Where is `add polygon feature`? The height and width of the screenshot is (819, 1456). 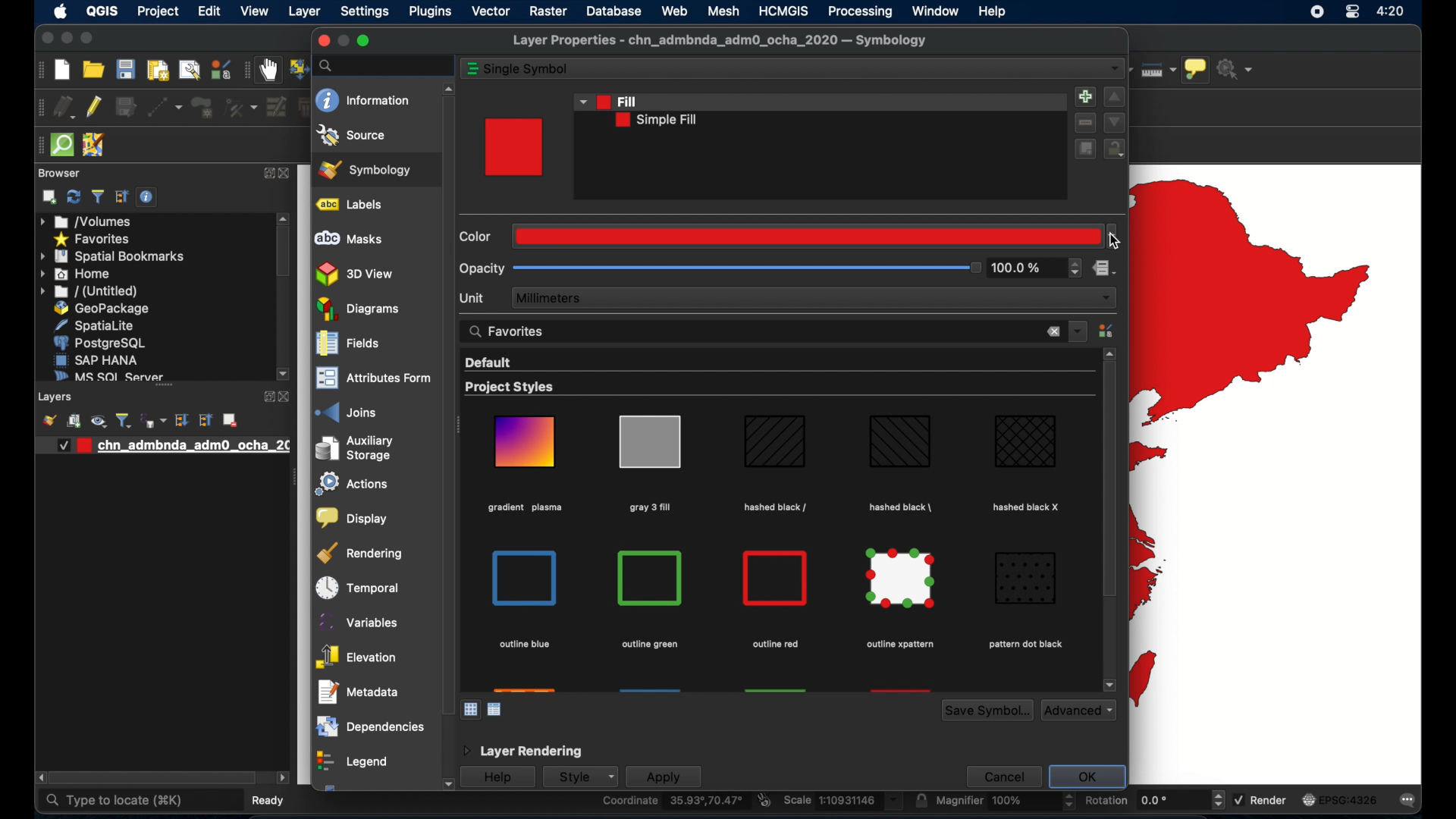
add polygon feature is located at coordinates (204, 108).